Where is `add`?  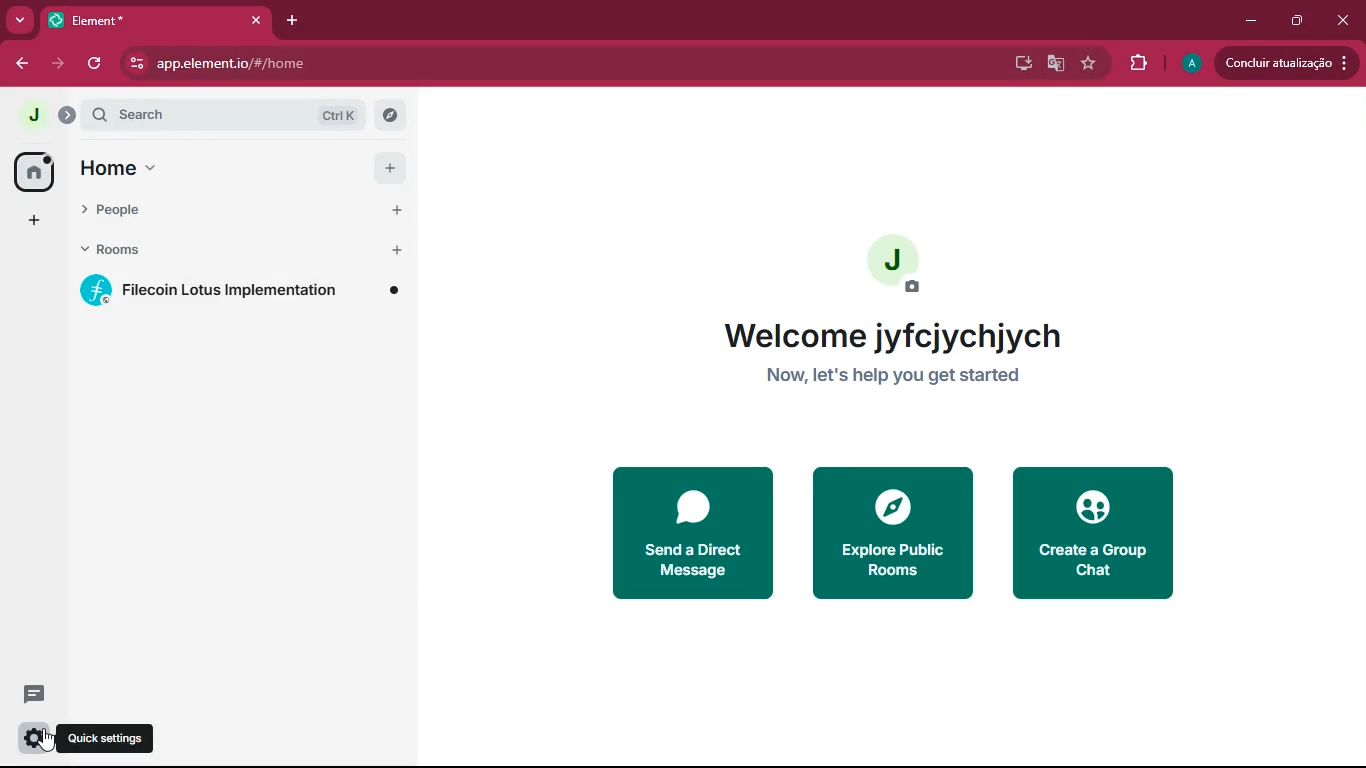
add is located at coordinates (29, 220).